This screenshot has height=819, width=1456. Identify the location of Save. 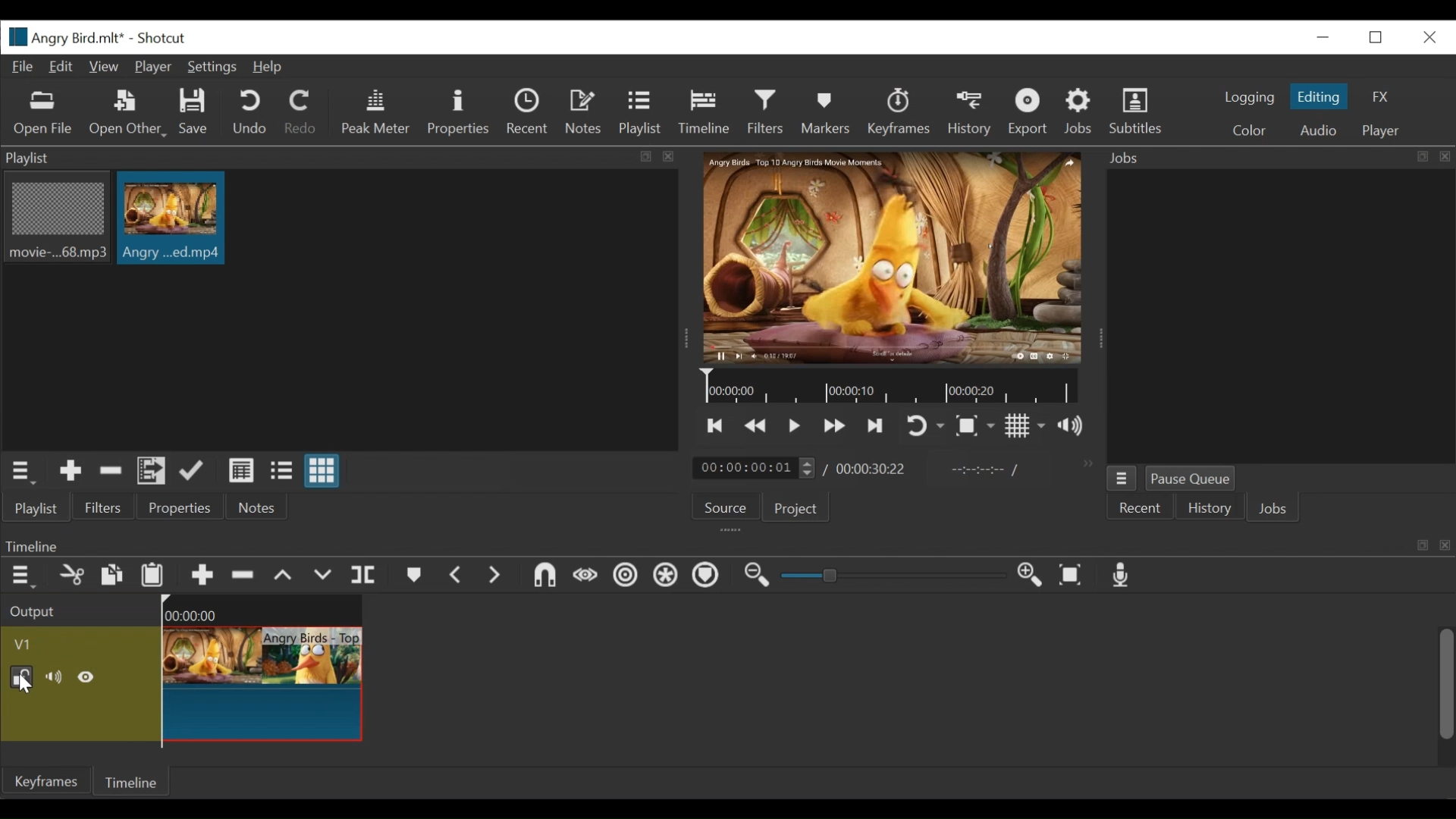
(196, 115).